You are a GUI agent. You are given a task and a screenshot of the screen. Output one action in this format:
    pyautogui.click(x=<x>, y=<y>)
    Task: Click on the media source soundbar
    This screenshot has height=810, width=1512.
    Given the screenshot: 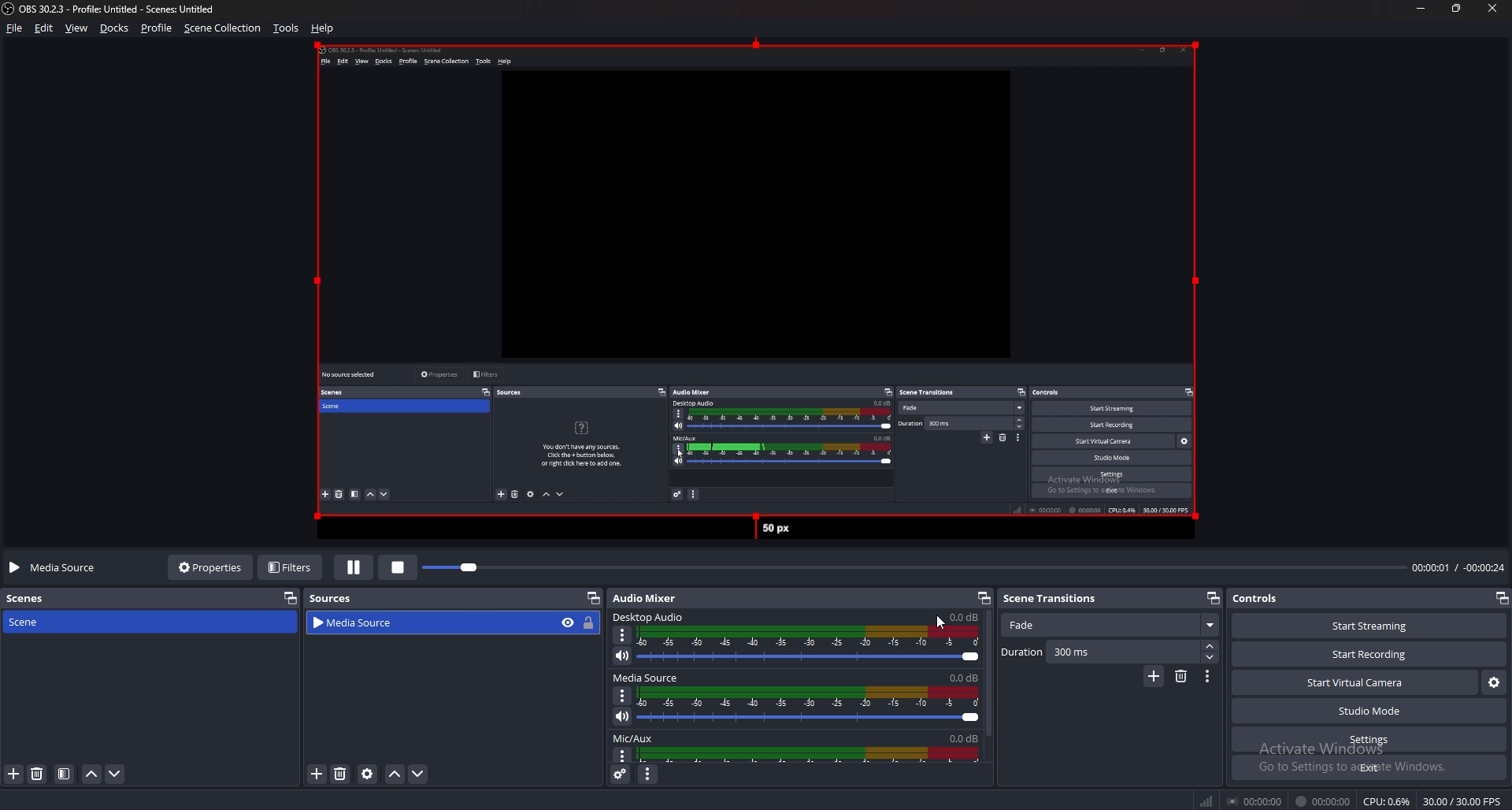 What is the action you would take?
    pyautogui.click(x=814, y=705)
    